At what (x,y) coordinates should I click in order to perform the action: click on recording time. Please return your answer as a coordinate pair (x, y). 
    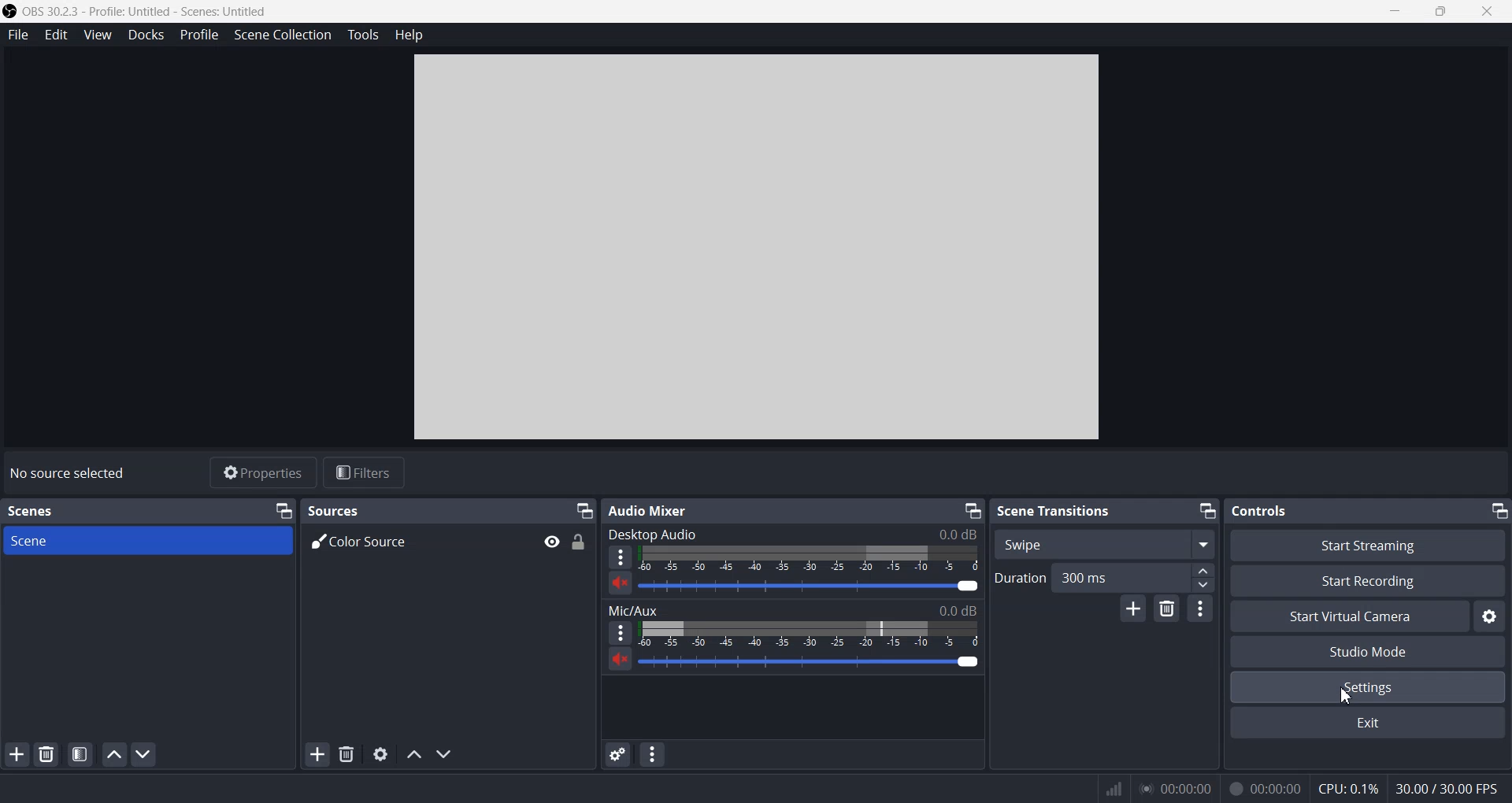
    Looking at the image, I should click on (1262, 788).